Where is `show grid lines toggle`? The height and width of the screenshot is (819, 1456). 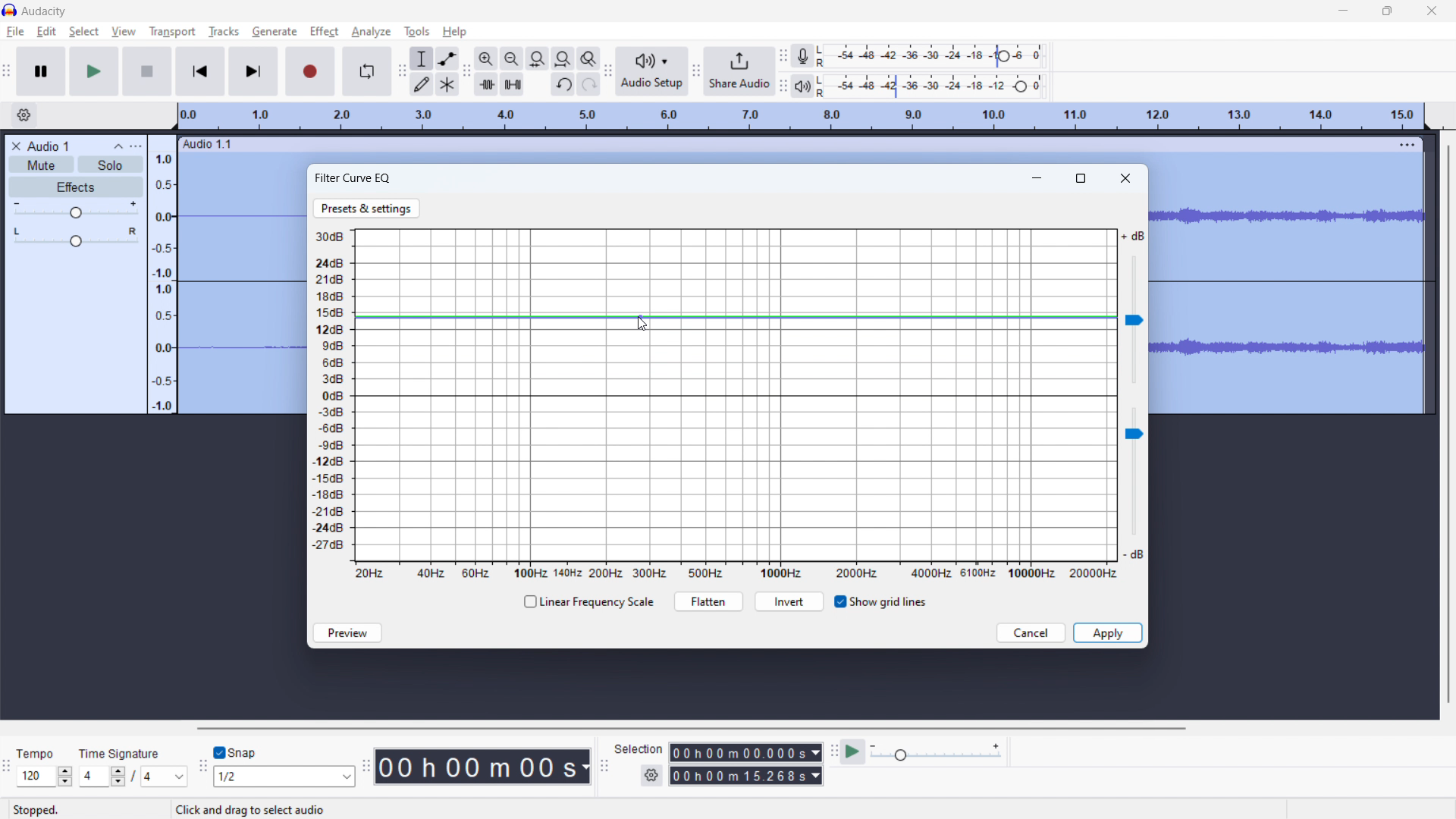 show grid lines toggle is located at coordinates (880, 602).